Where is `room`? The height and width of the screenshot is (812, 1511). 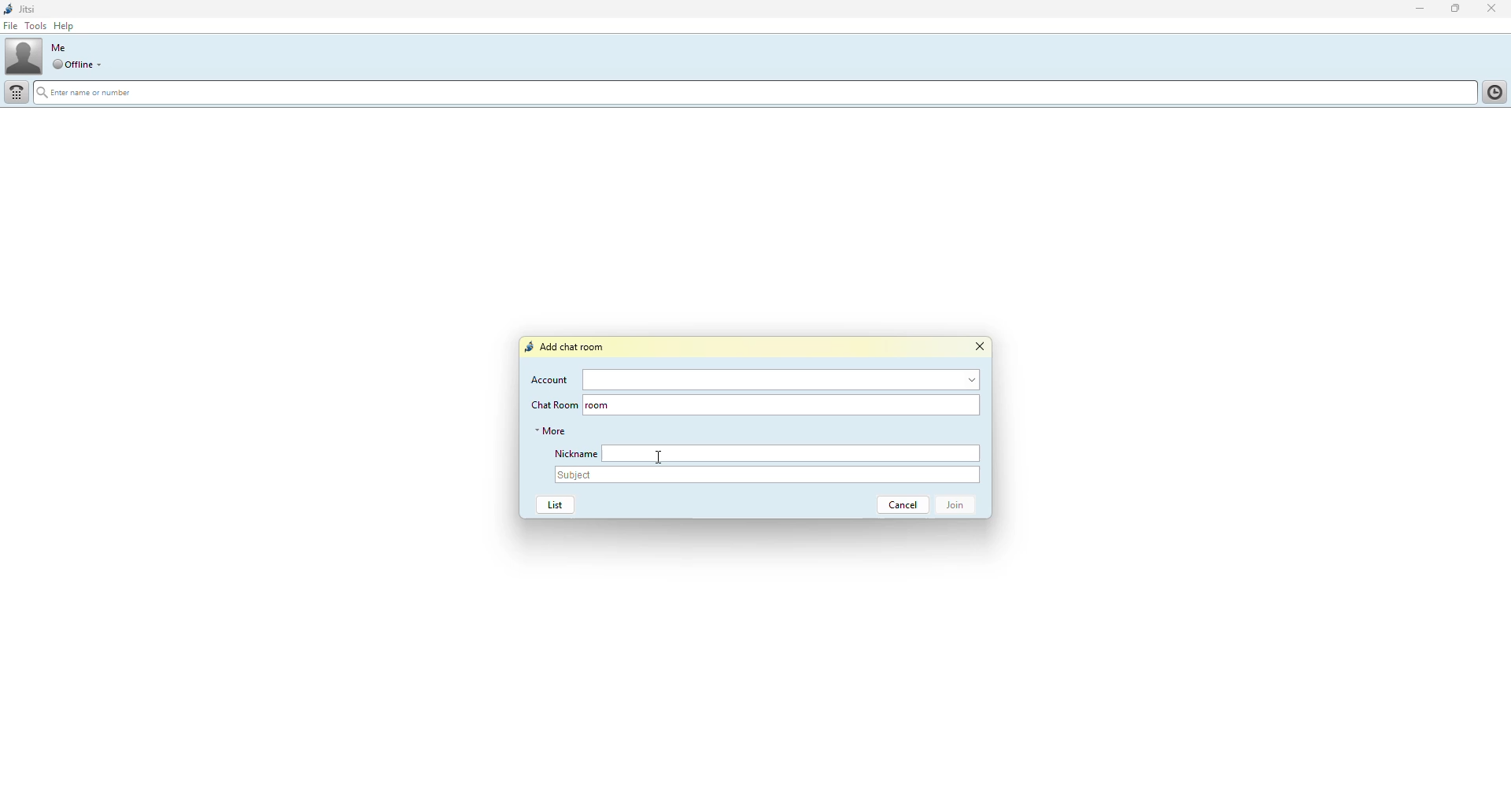
room is located at coordinates (600, 406).